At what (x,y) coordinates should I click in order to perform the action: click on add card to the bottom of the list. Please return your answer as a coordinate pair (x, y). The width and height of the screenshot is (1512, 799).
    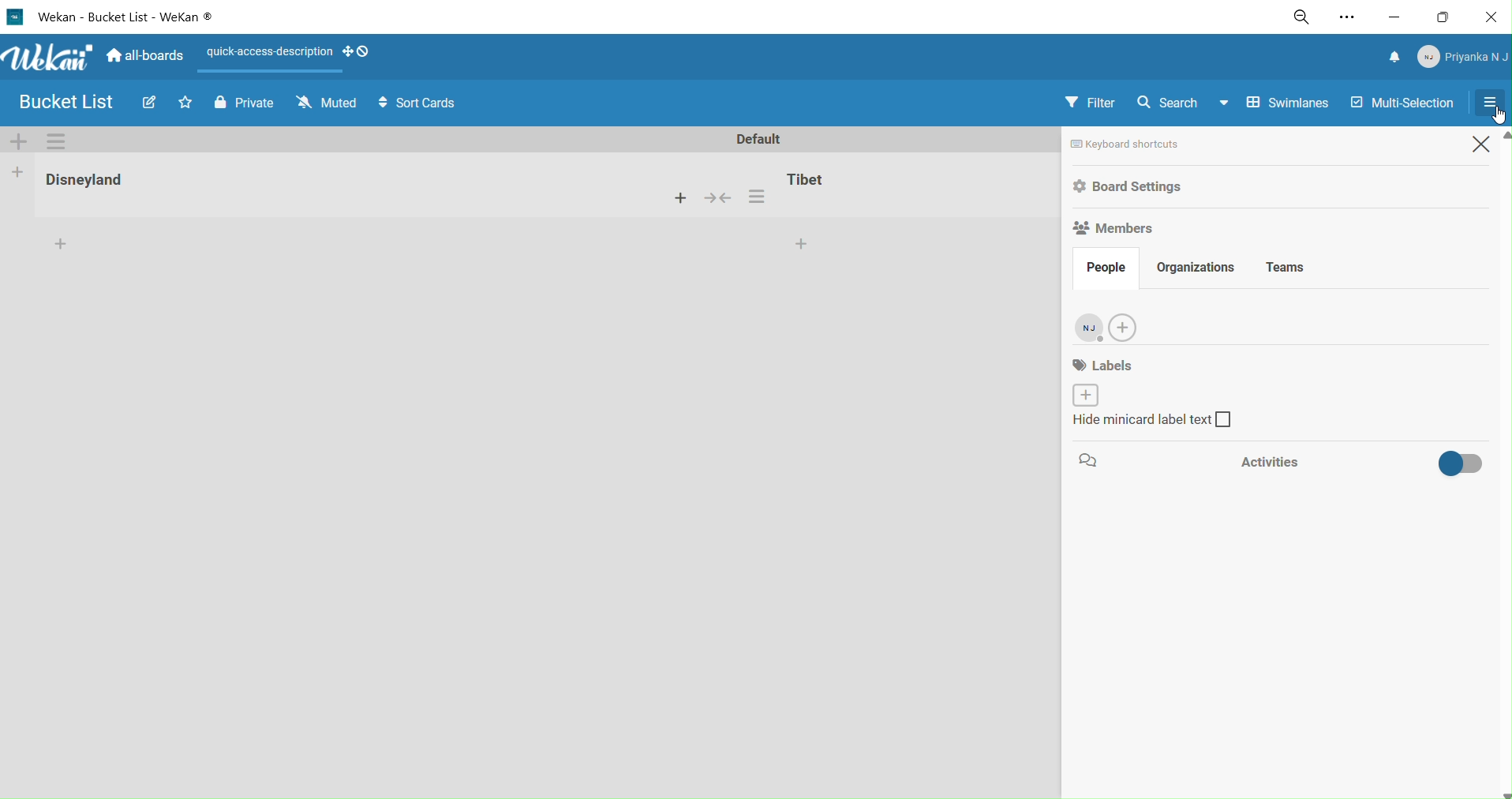
    Looking at the image, I should click on (802, 246).